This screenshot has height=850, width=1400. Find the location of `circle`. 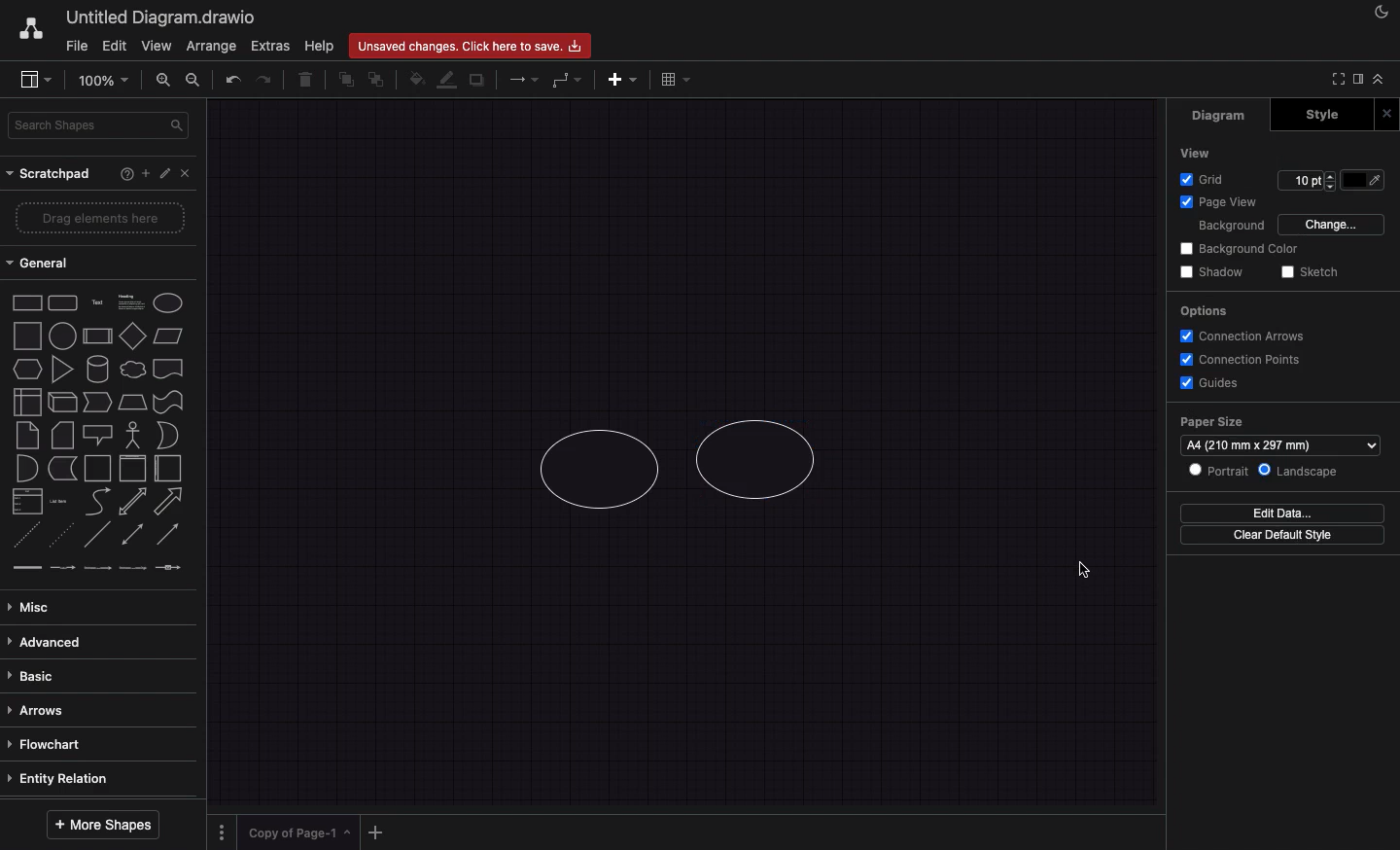

circle is located at coordinates (594, 470).